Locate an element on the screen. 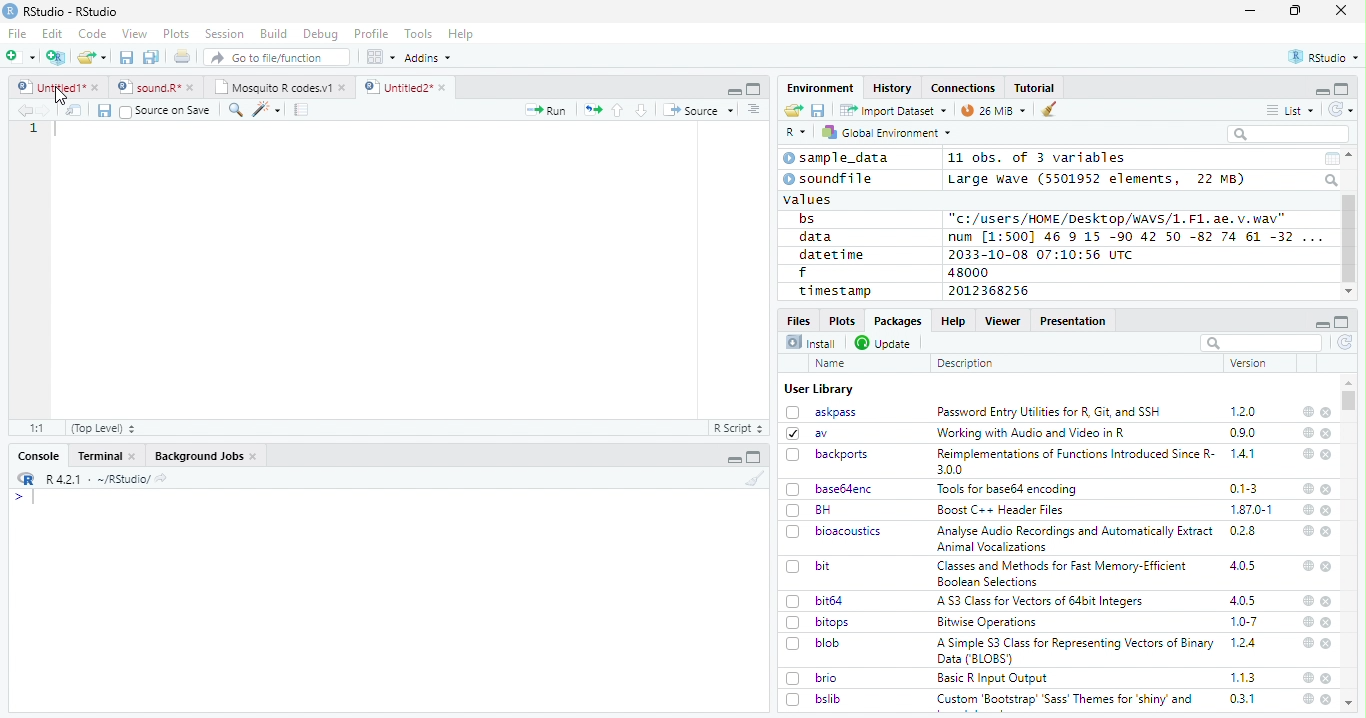  0.1-3 is located at coordinates (1247, 488).